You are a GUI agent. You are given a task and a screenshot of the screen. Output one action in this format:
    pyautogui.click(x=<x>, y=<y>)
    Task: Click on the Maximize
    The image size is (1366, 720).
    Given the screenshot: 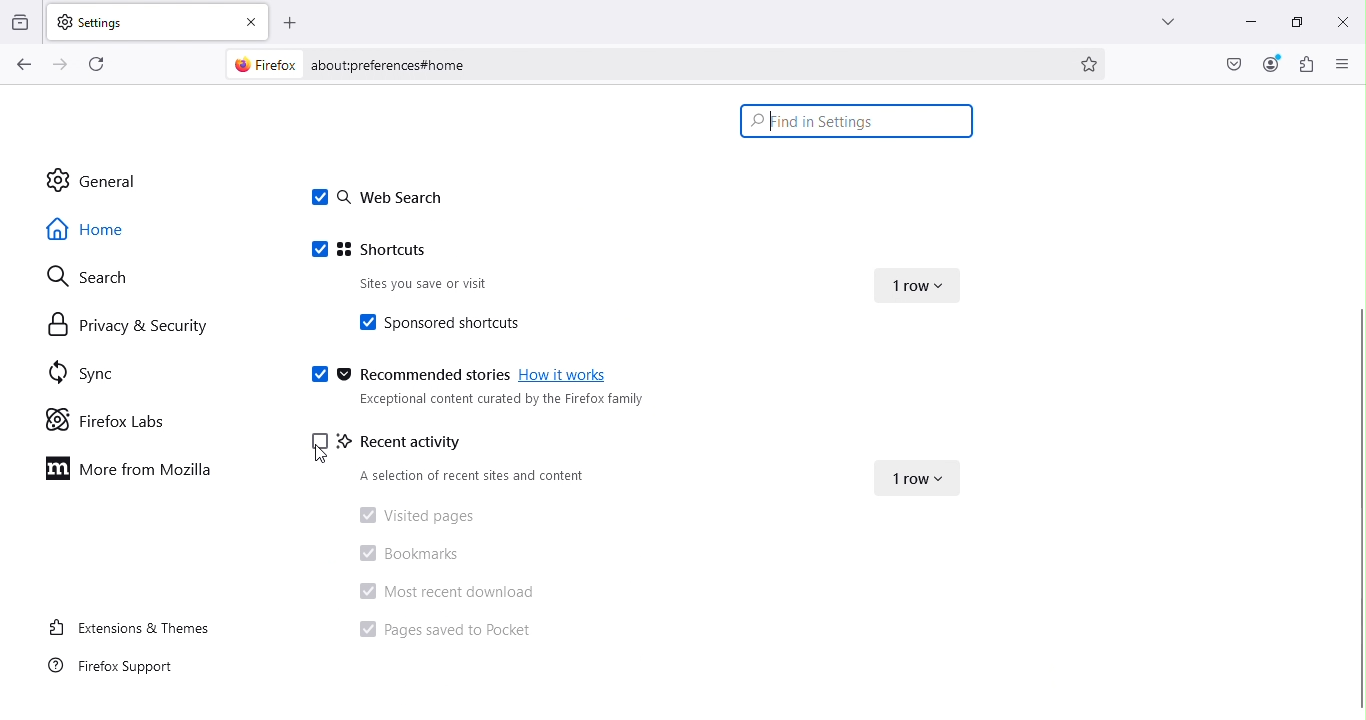 What is the action you would take?
    pyautogui.click(x=1289, y=22)
    